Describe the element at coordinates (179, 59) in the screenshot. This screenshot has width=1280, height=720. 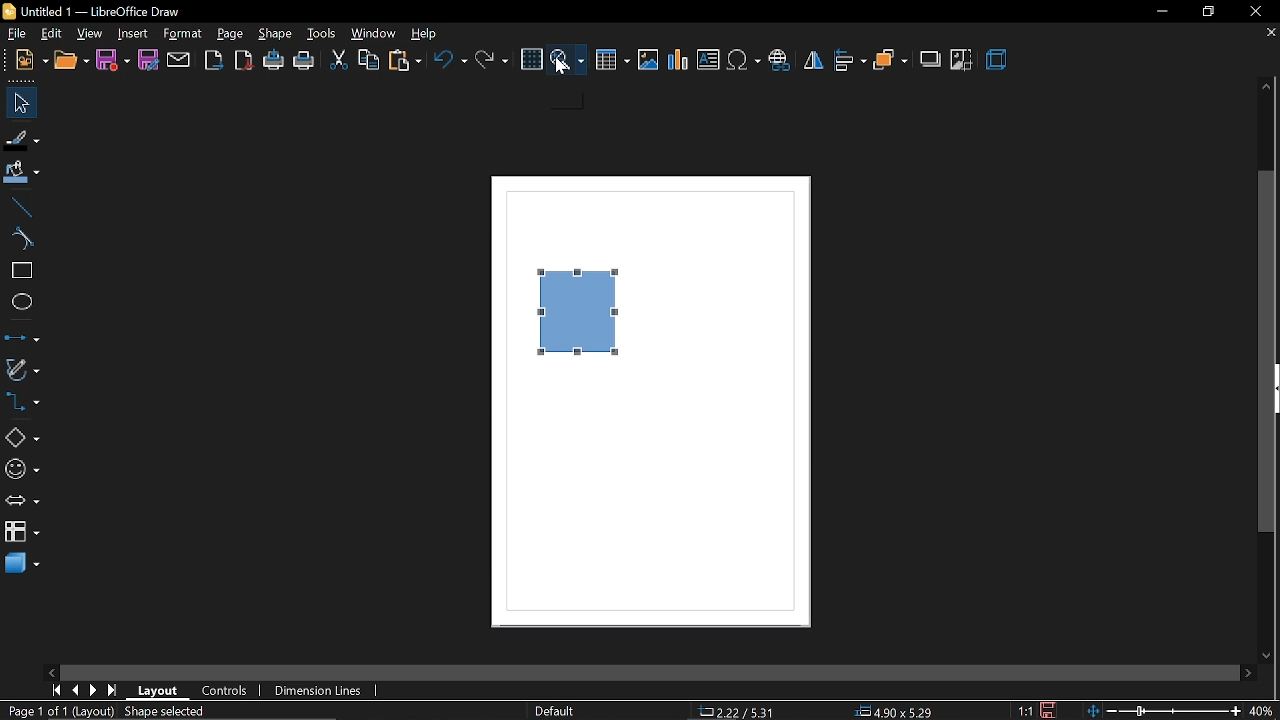
I see `attach` at that location.